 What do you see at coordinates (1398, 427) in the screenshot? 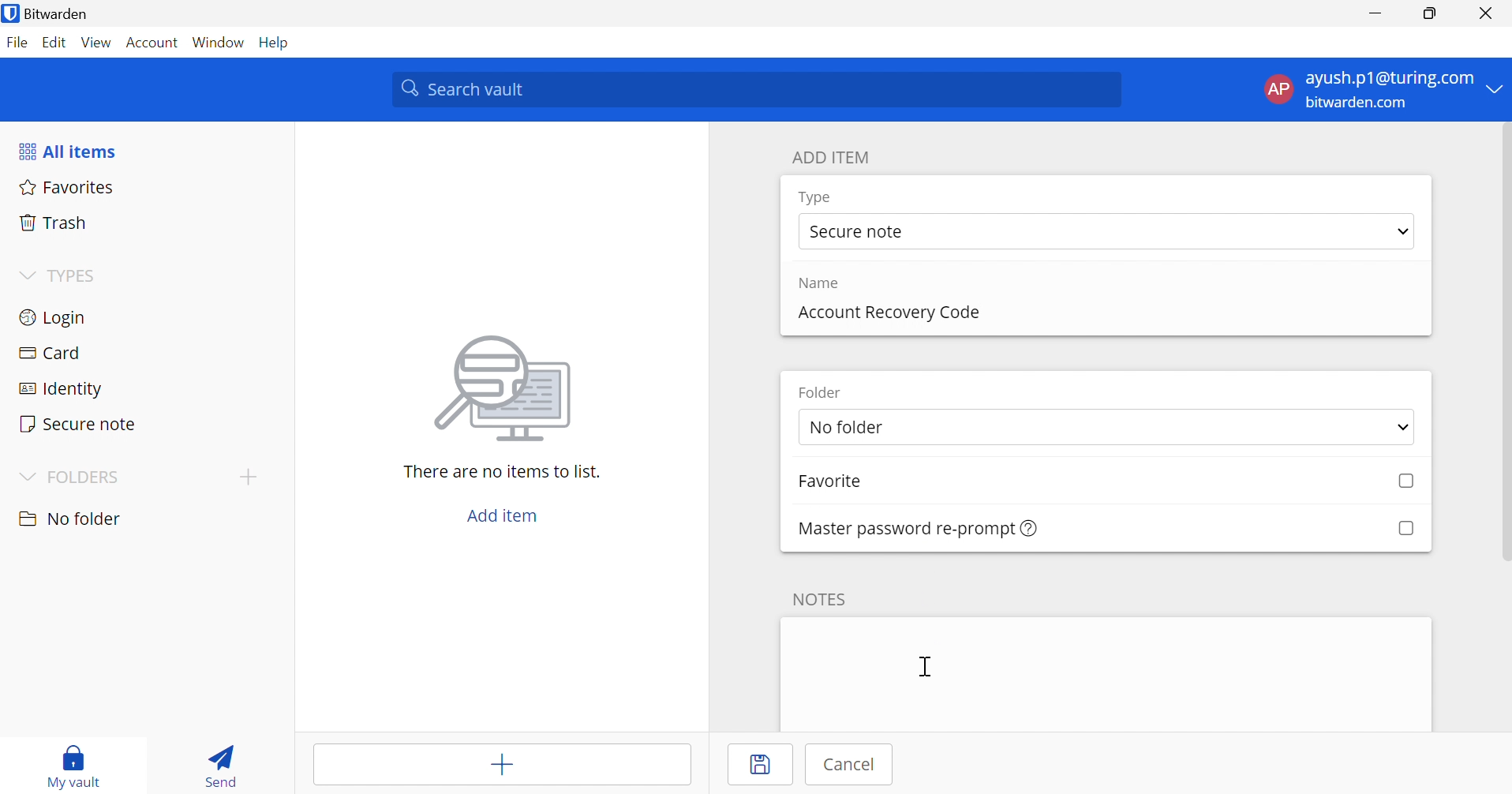
I see `dropdown` at bounding box center [1398, 427].